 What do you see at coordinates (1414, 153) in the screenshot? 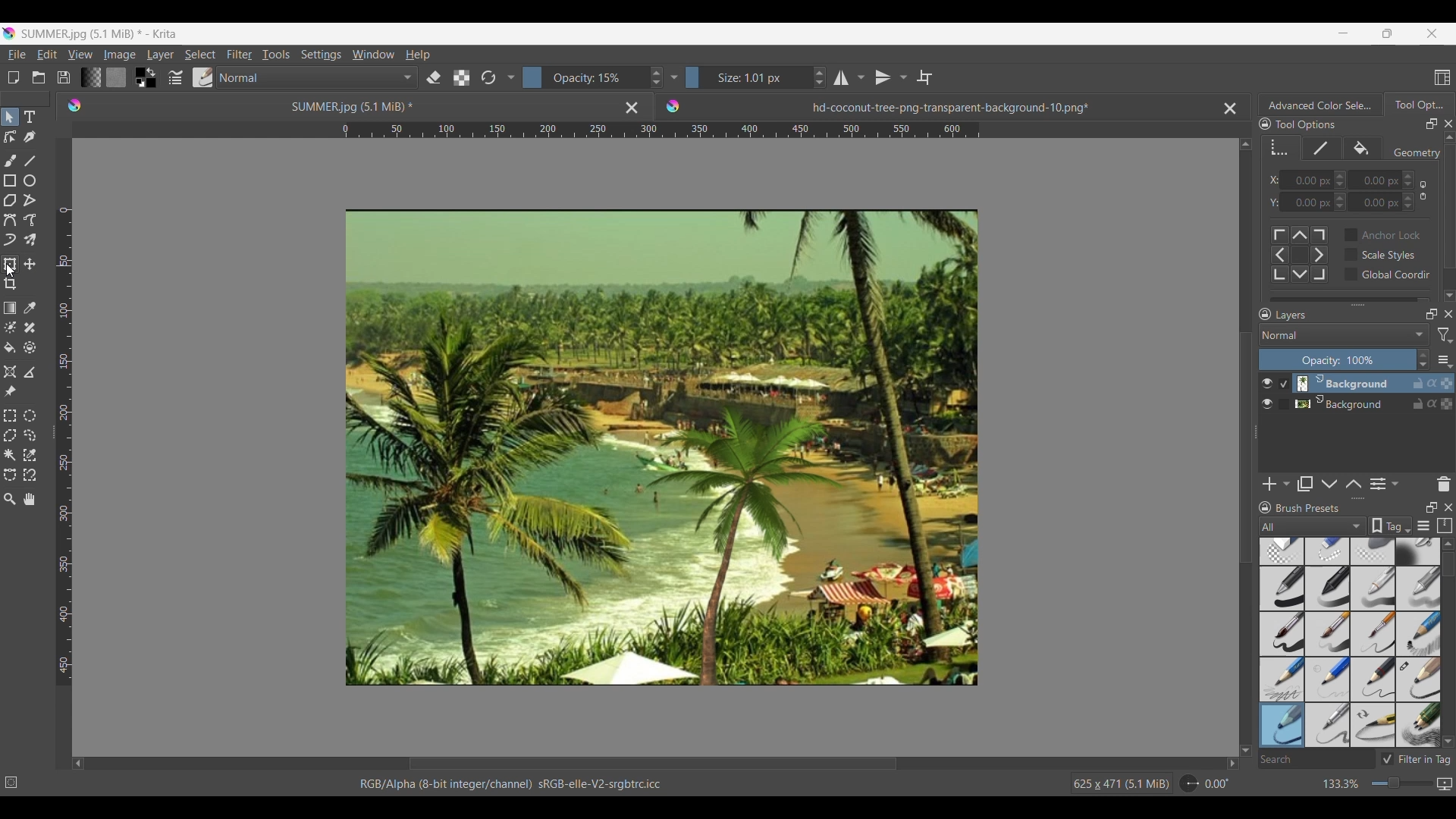
I see `Geometry` at bounding box center [1414, 153].